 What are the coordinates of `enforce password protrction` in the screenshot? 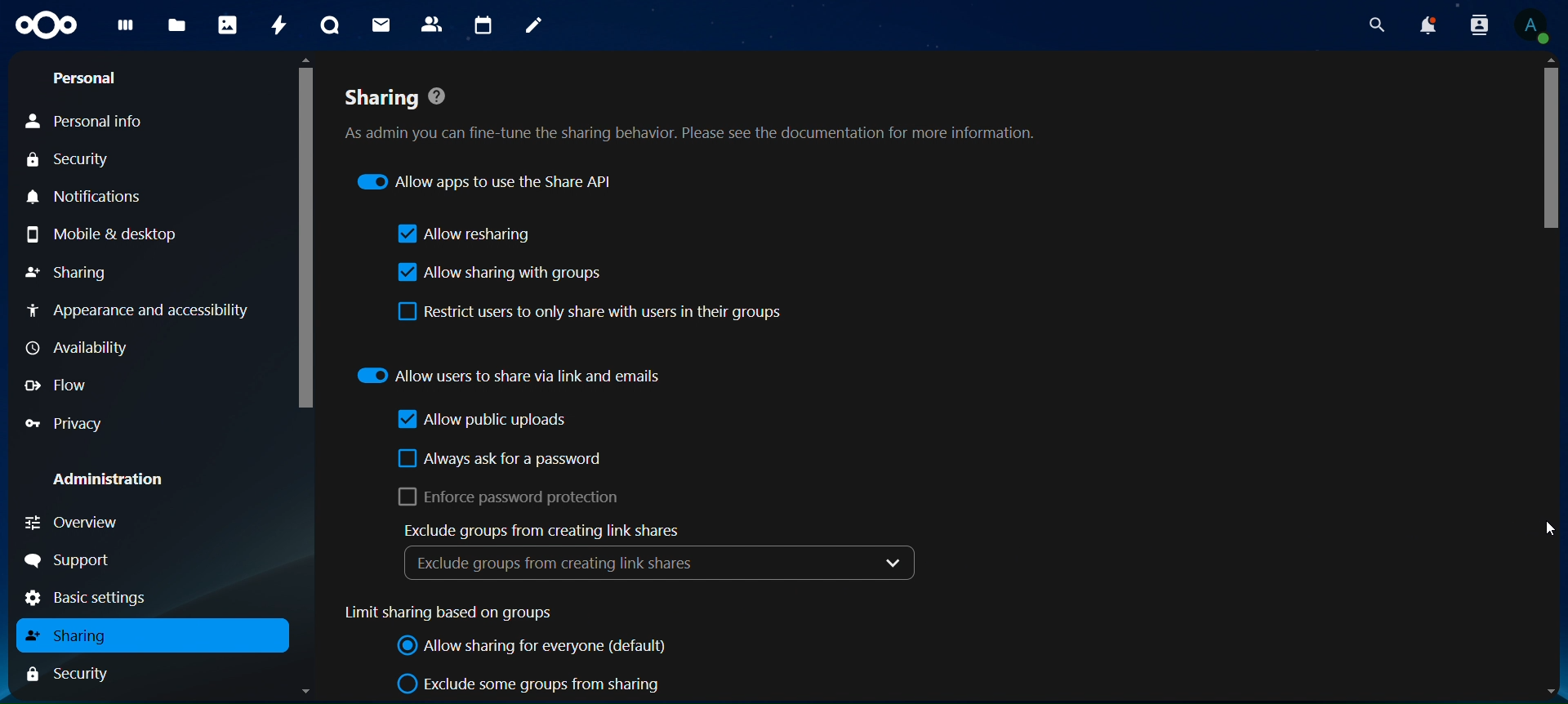 It's located at (506, 497).